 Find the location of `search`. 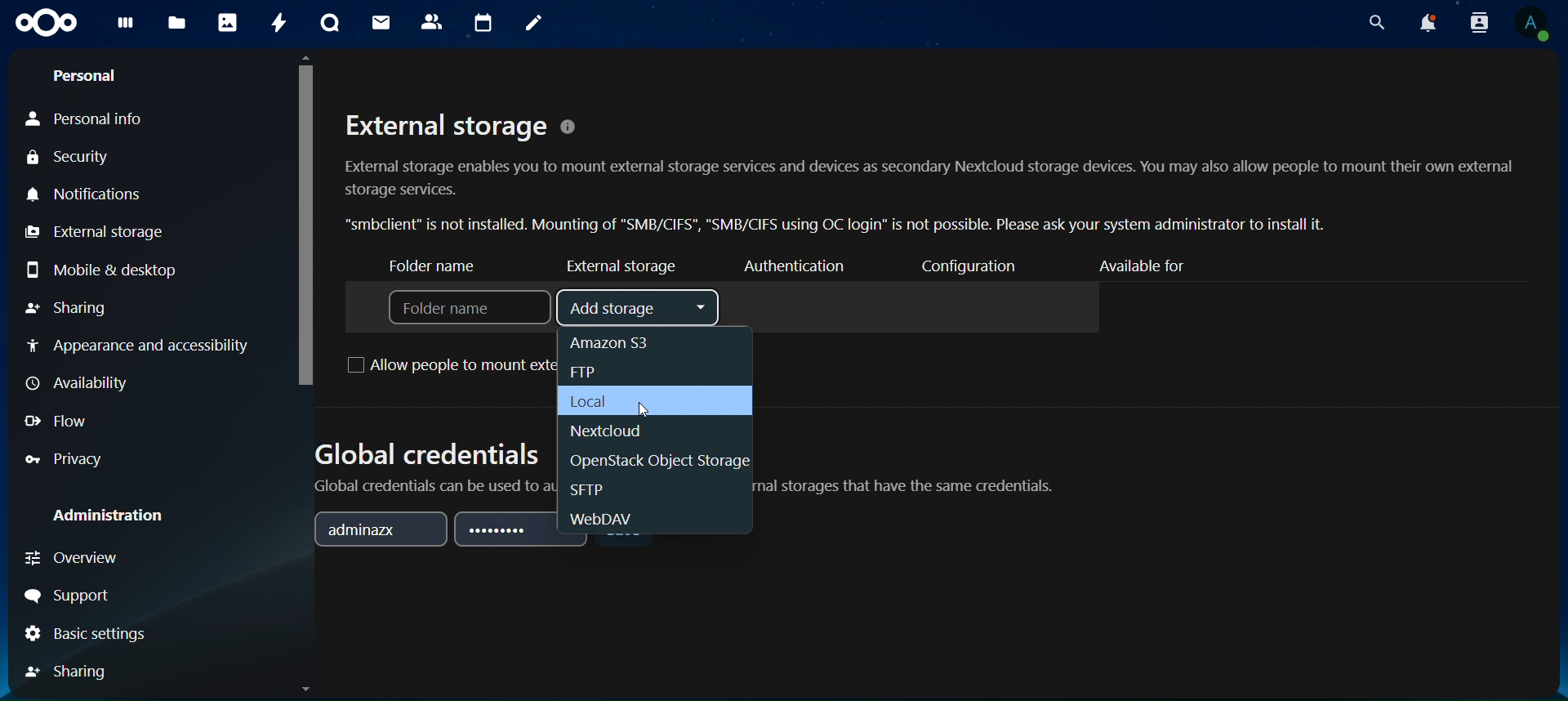

search is located at coordinates (1375, 23).